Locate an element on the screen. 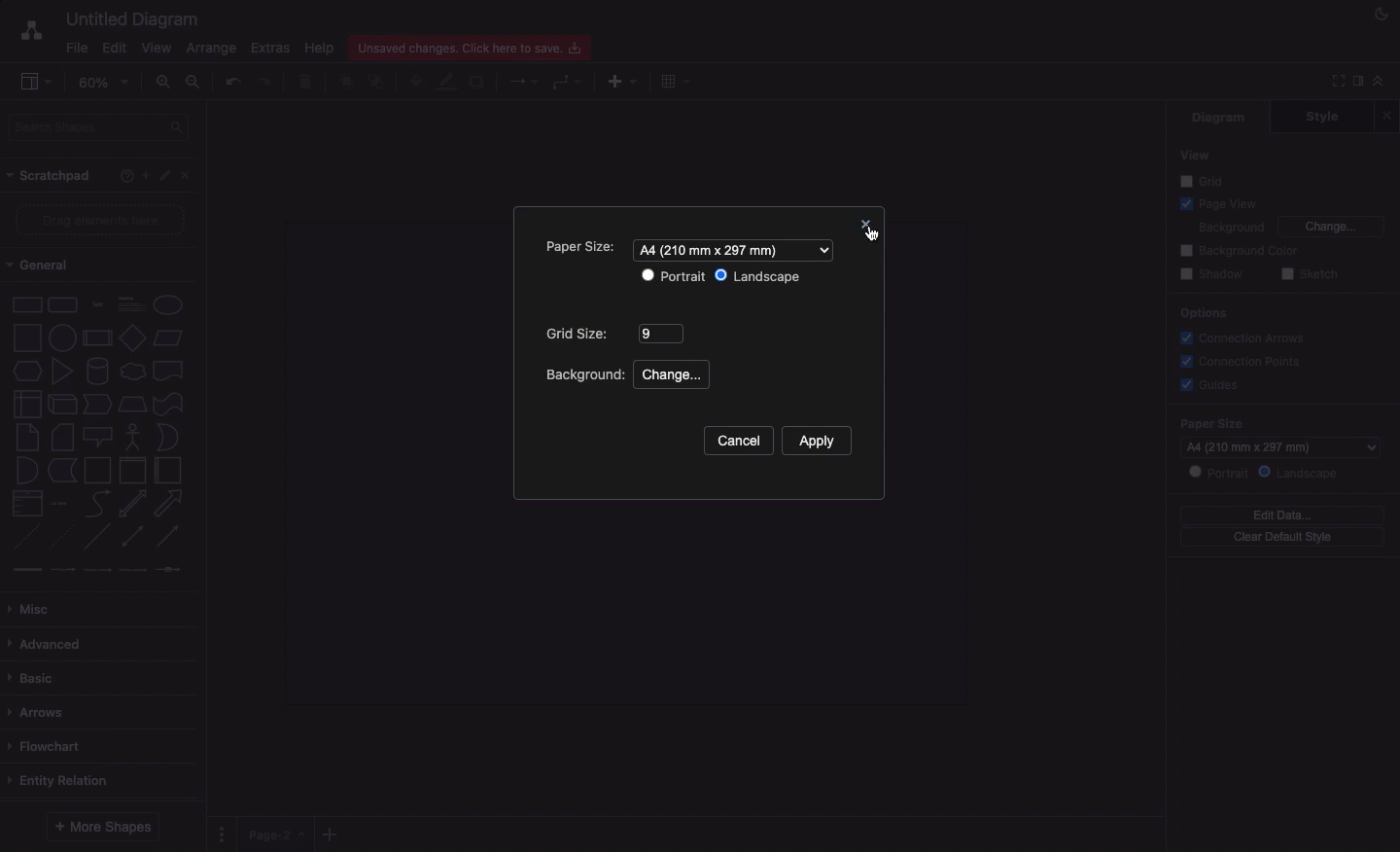 The width and height of the screenshot is (1400, 852). Arrange is located at coordinates (207, 49).